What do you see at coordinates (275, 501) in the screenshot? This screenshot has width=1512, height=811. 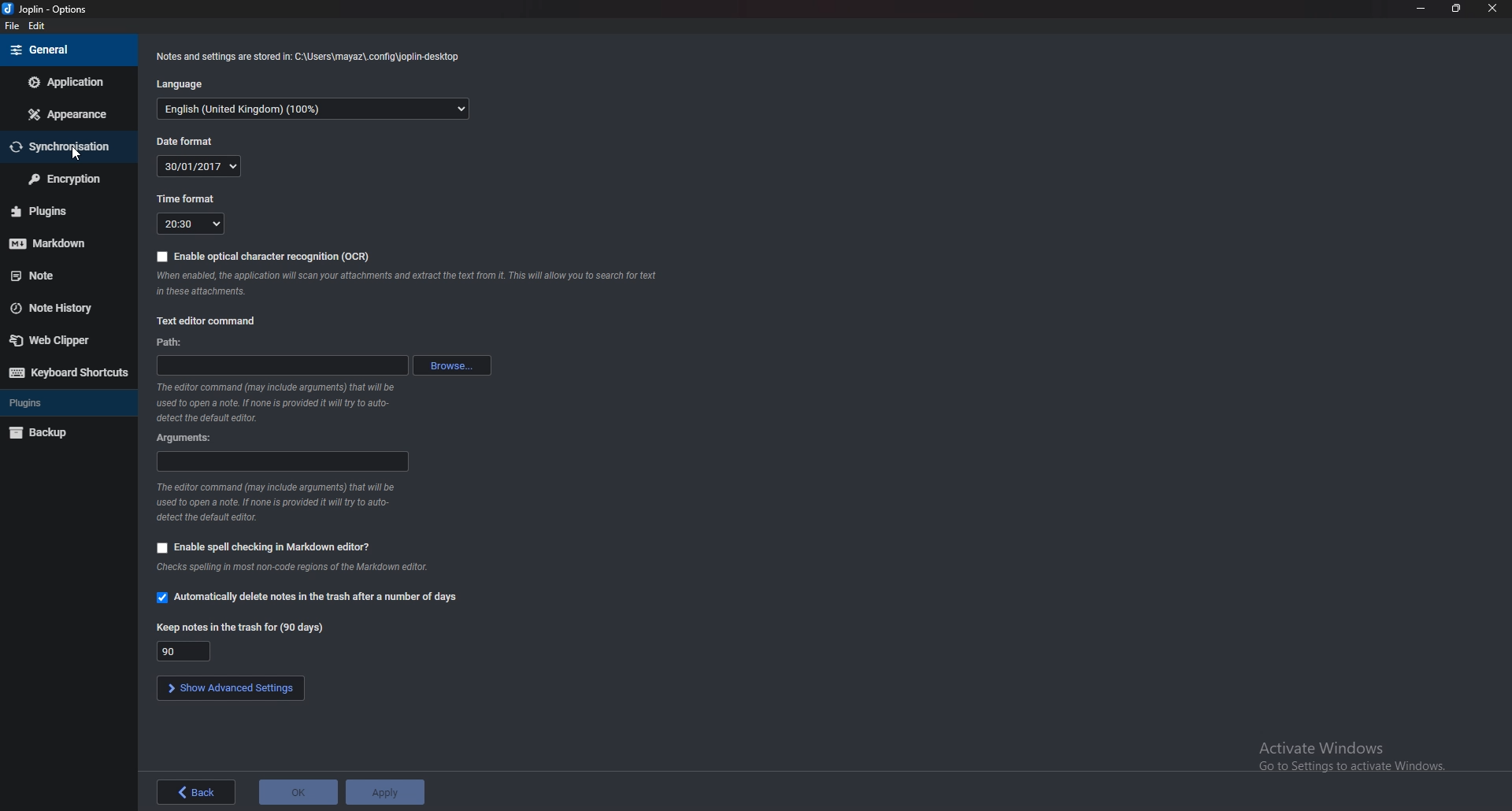 I see `info` at bounding box center [275, 501].